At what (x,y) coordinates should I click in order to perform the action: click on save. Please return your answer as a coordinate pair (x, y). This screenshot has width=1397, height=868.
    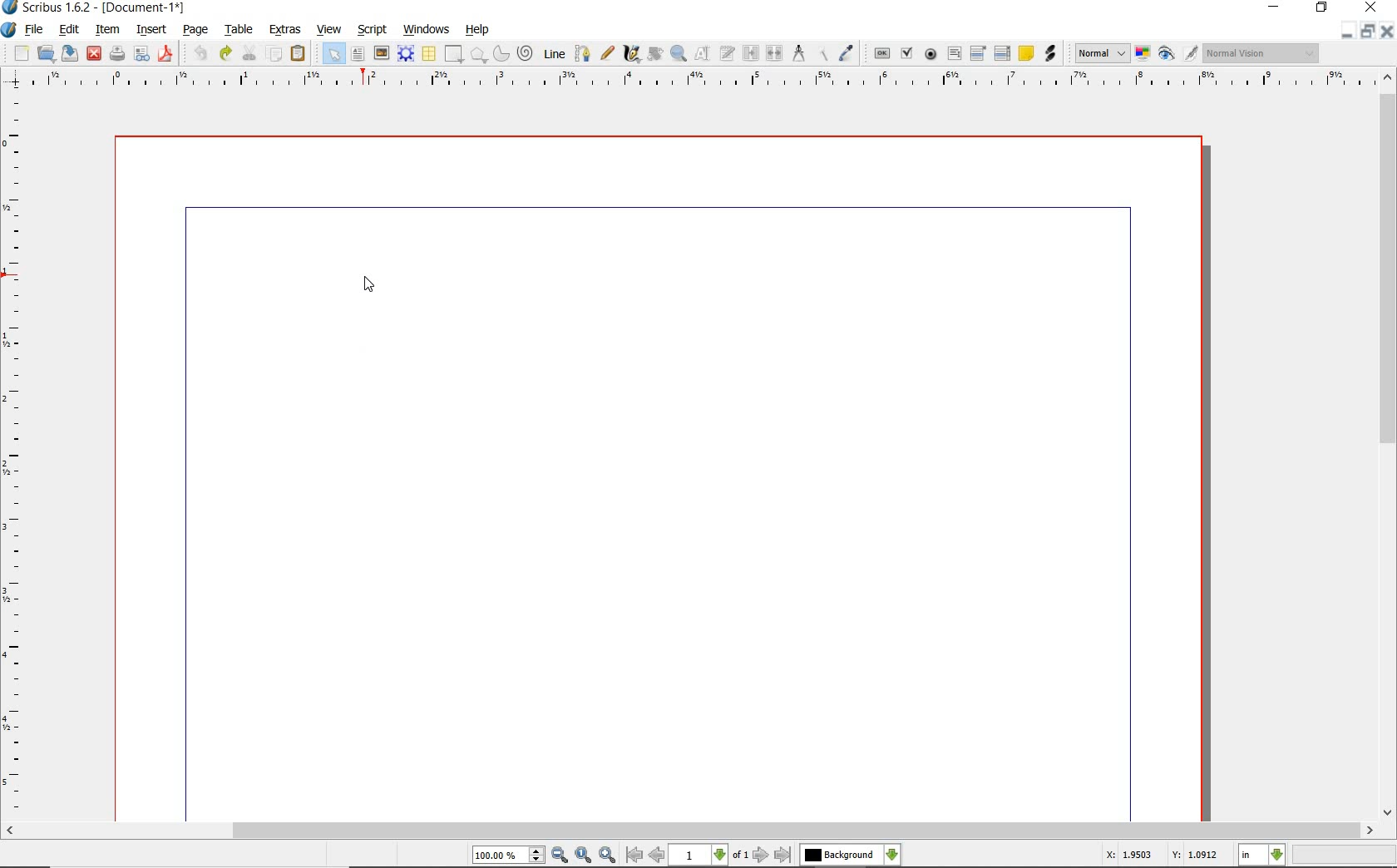
    Looking at the image, I should click on (71, 52).